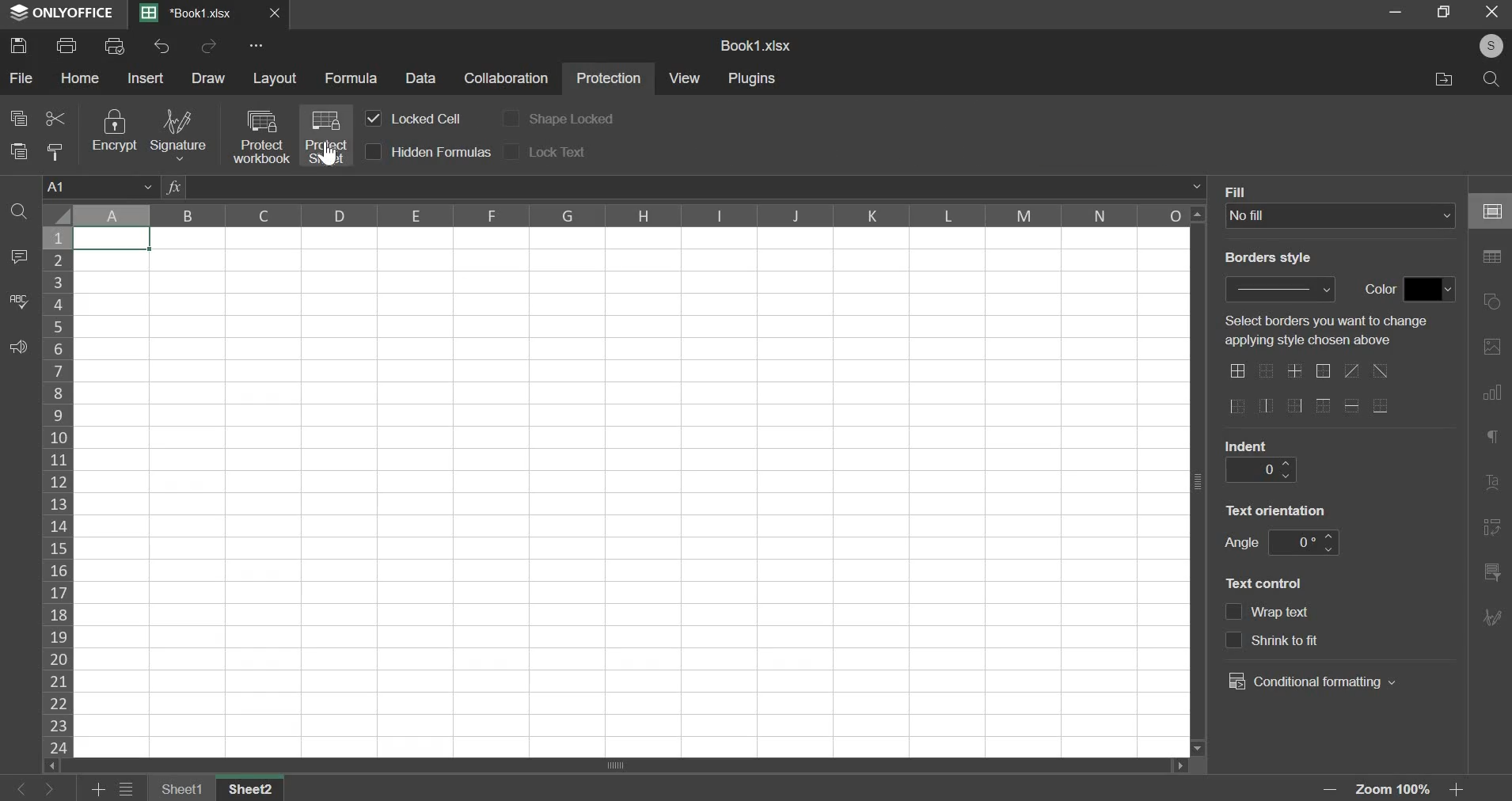  I want to click on cut, so click(55, 116).